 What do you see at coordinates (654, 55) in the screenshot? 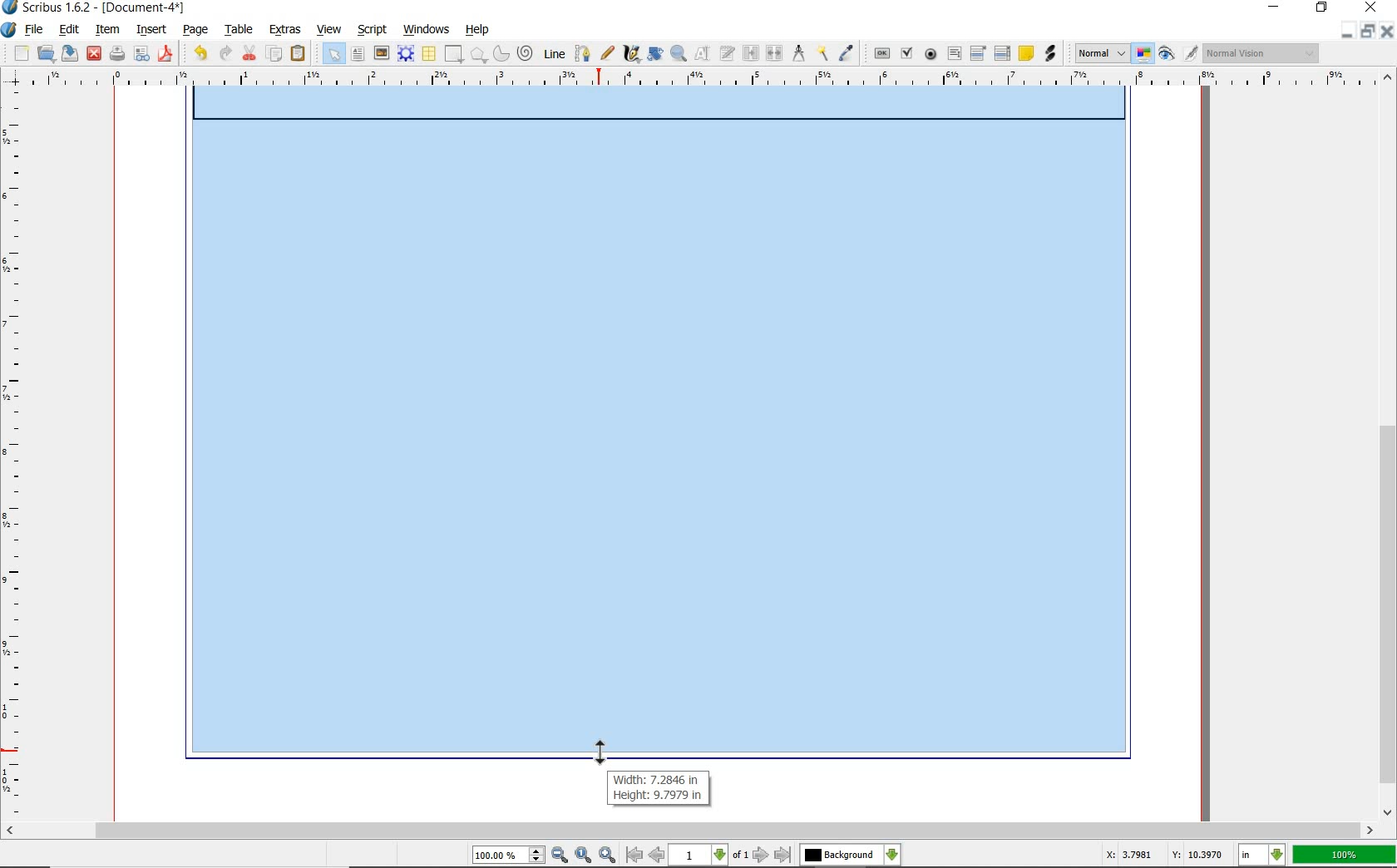
I see `rotate item` at bounding box center [654, 55].